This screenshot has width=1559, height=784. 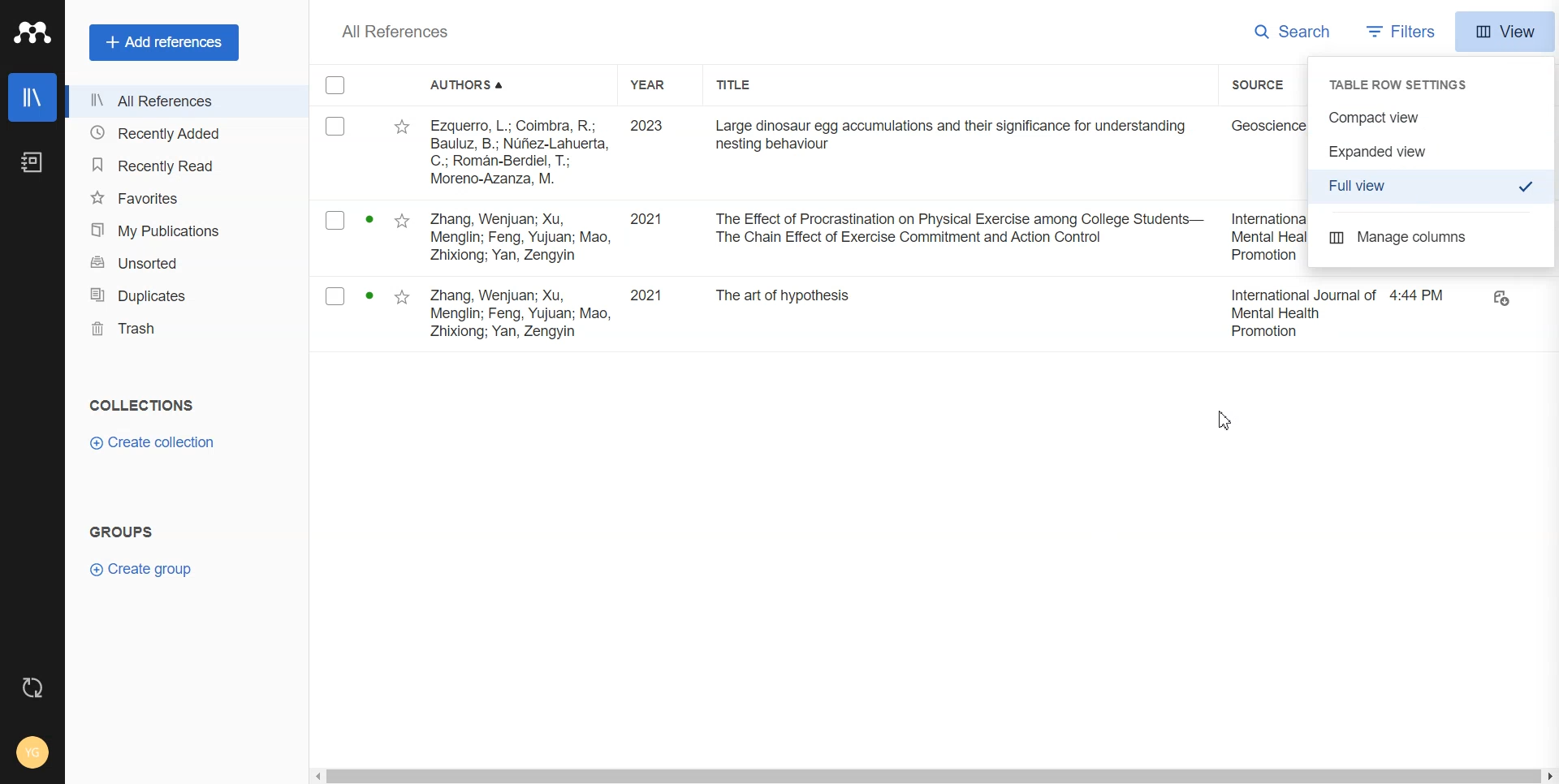 I want to click on Unsorted, so click(x=175, y=262).